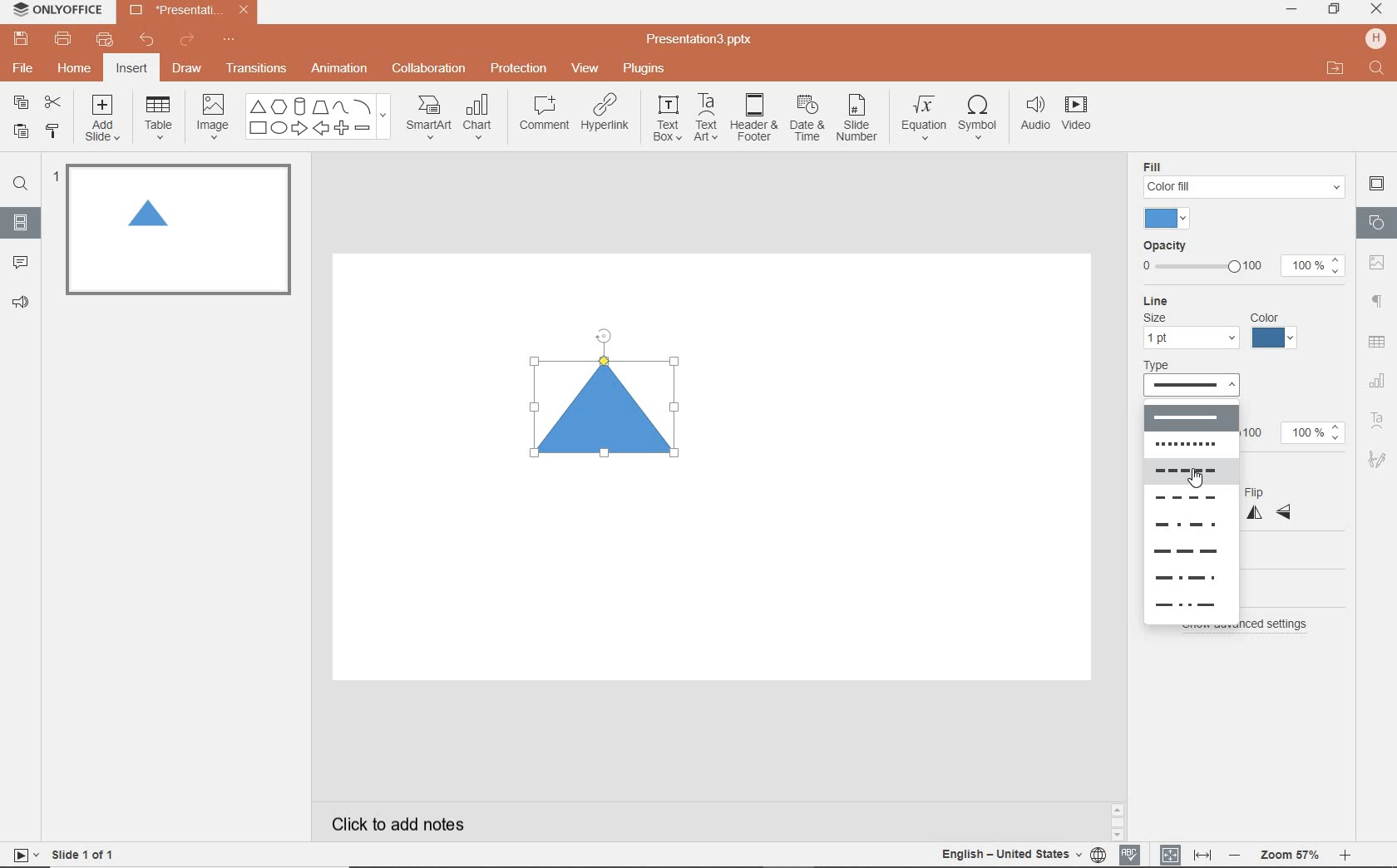 The height and width of the screenshot is (868, 1397). Describe the element at coordinates (1335, 72) in the screenshot. I see `open file location` at that location.